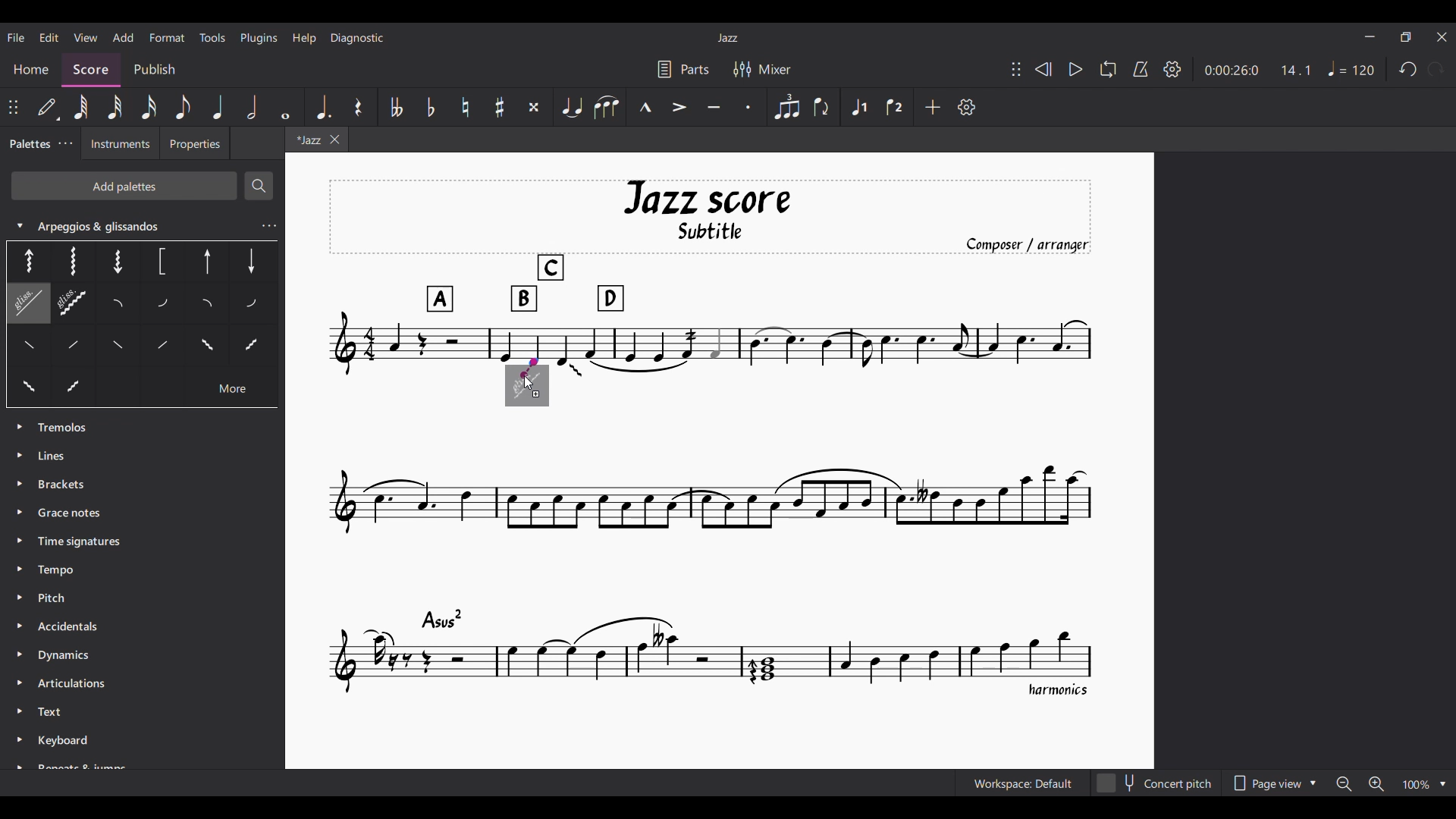  I want to click on Half note, so click(253, 107).